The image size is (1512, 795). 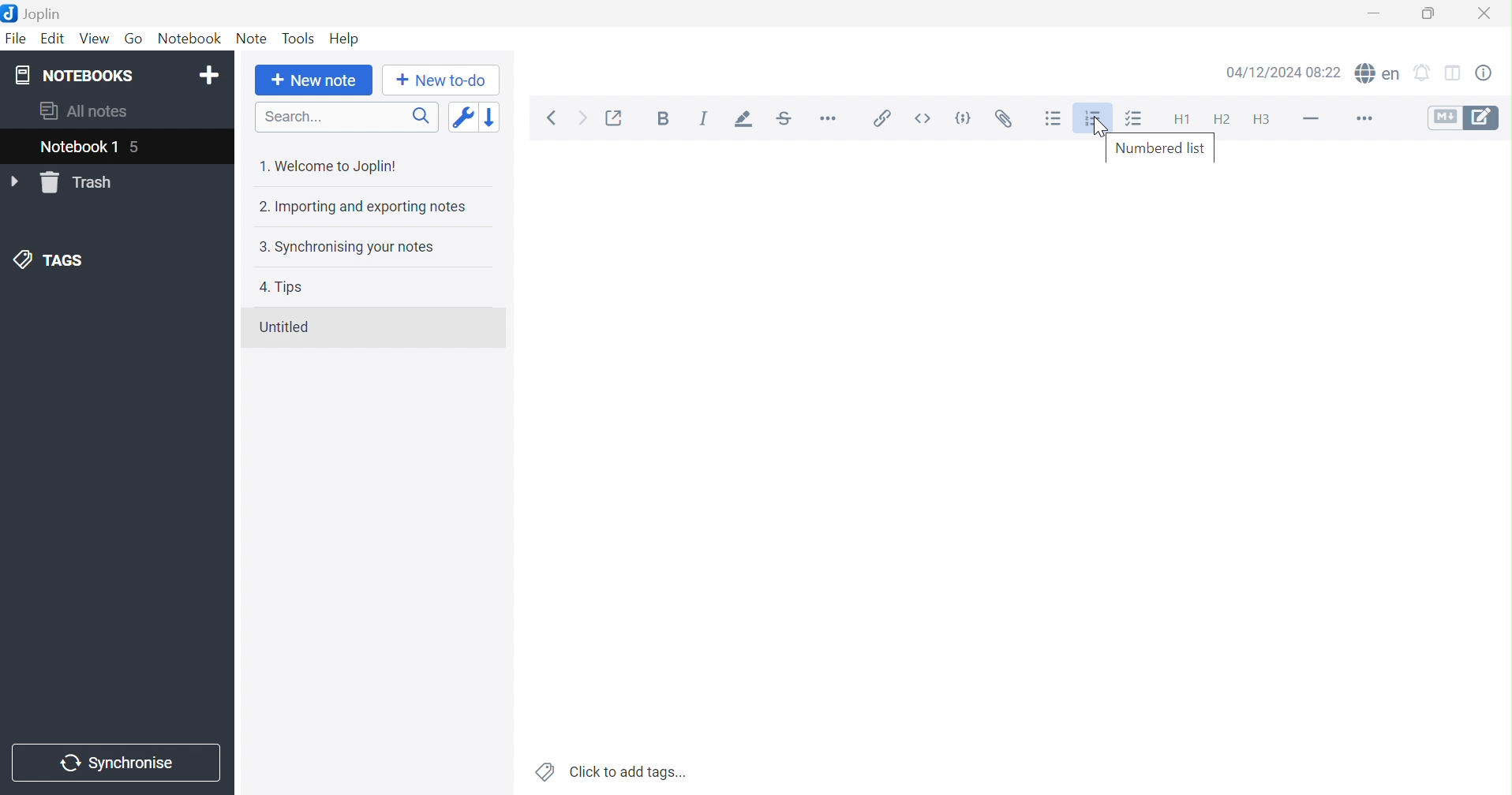 What do you see at coordinates (212, 73) in the screenshot?
I see `Add notebooks` at bounding box center [212, 73].